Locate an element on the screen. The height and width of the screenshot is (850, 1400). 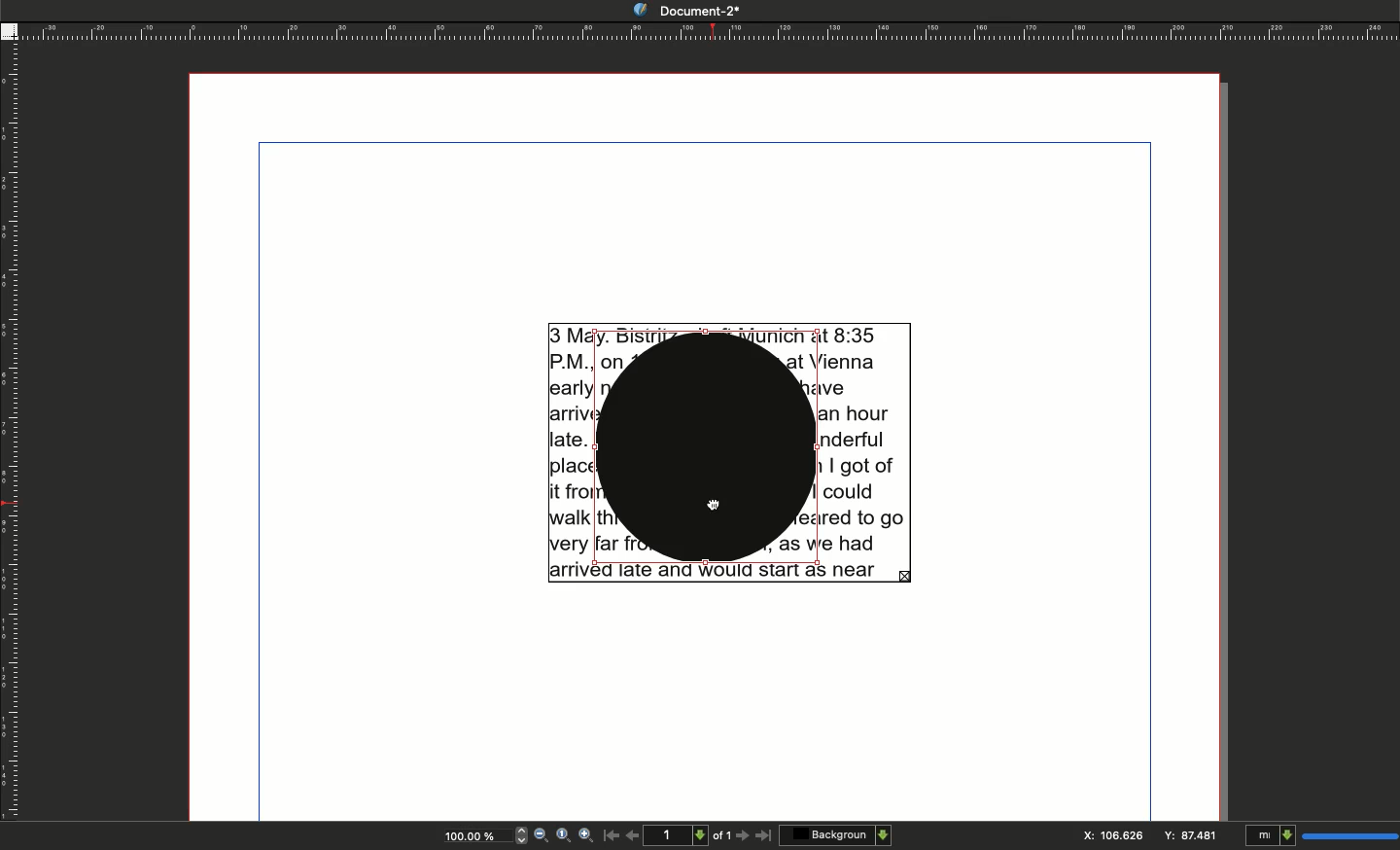
cursor is located at coordinates (717, 509).